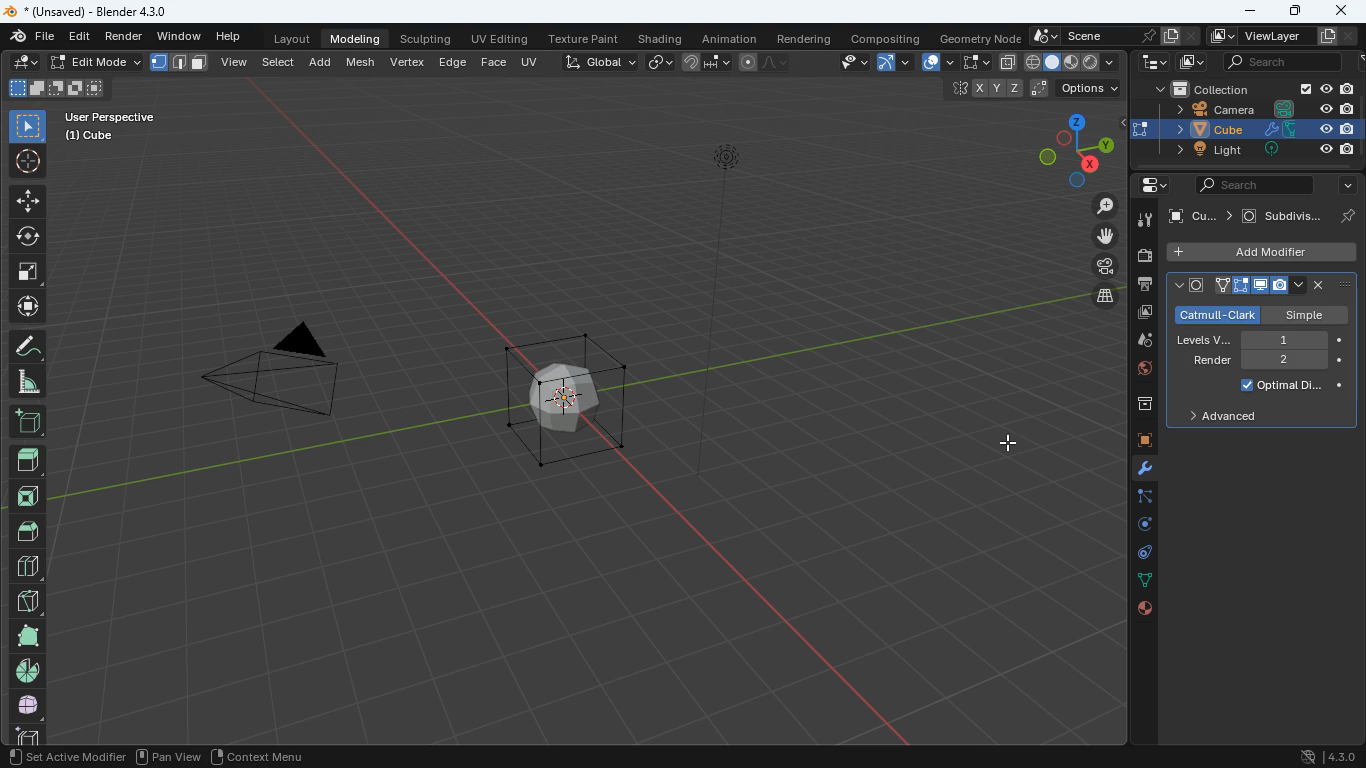 The width and height of the screenshot is (1366, 768). I want to click on close app, so click(1341, 9).